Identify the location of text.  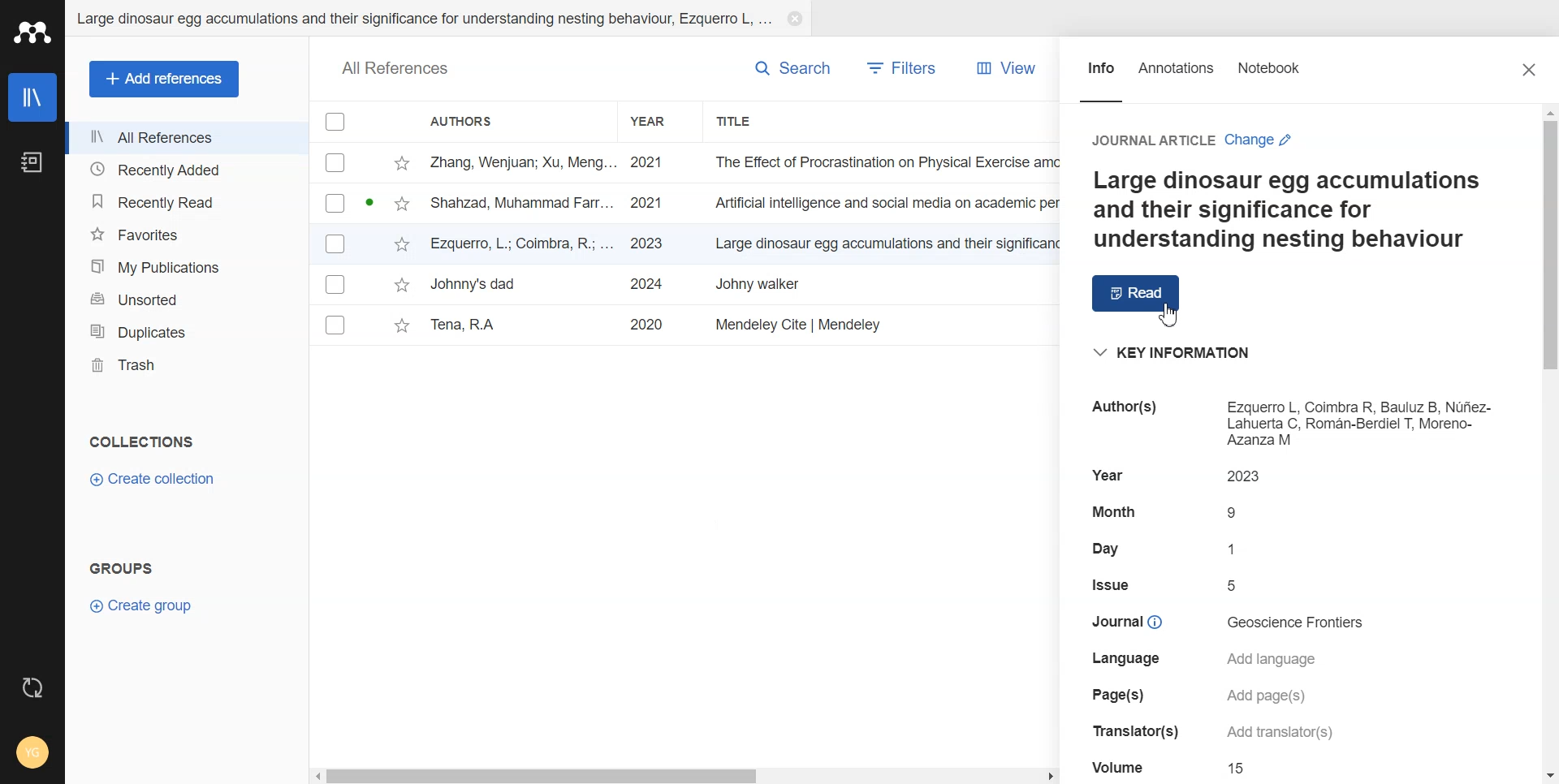
(1239, 769).